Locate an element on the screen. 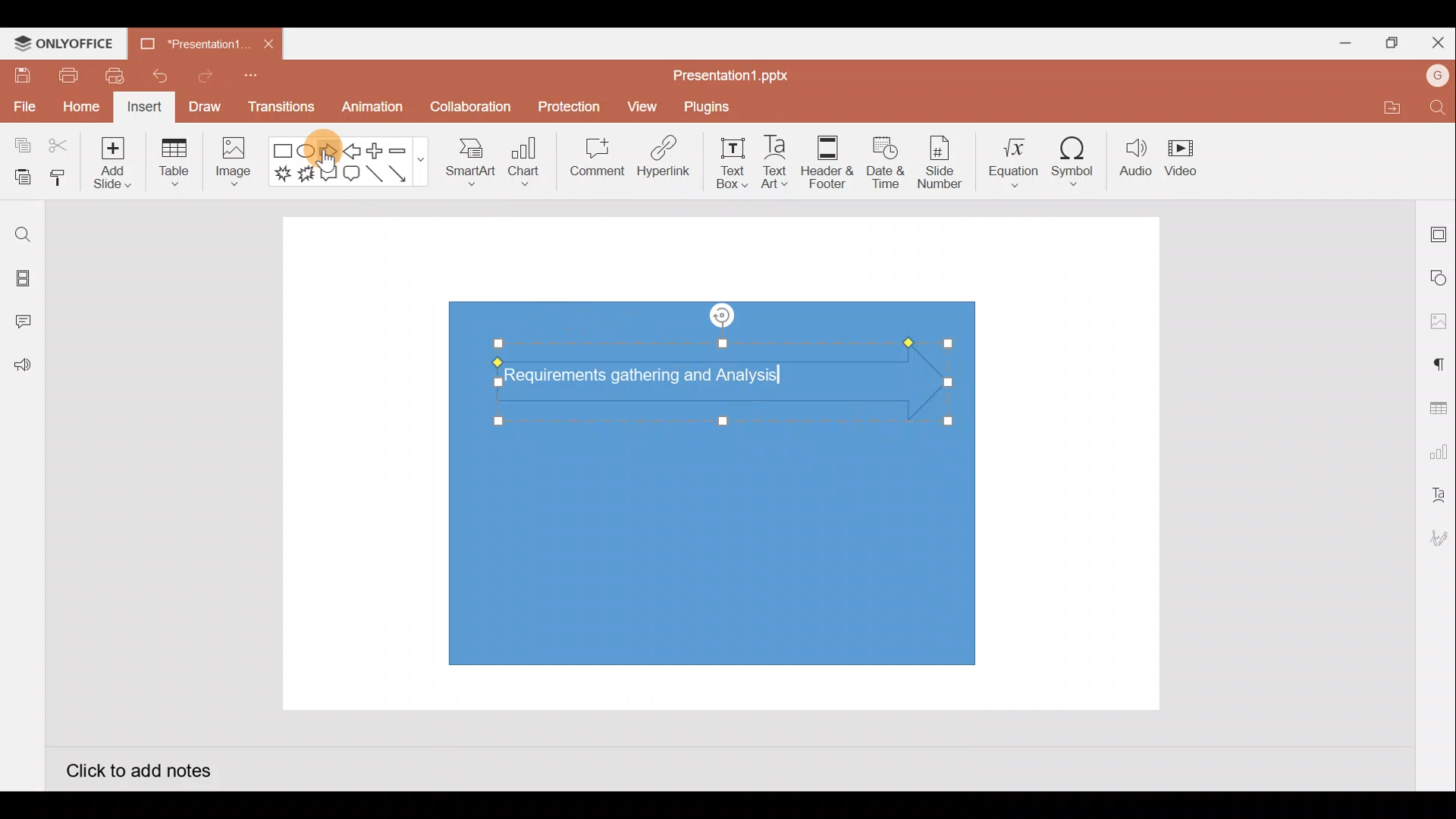 The width and height of the screenshot is (1456, 819). Minus is located at coordinates (406, 149).